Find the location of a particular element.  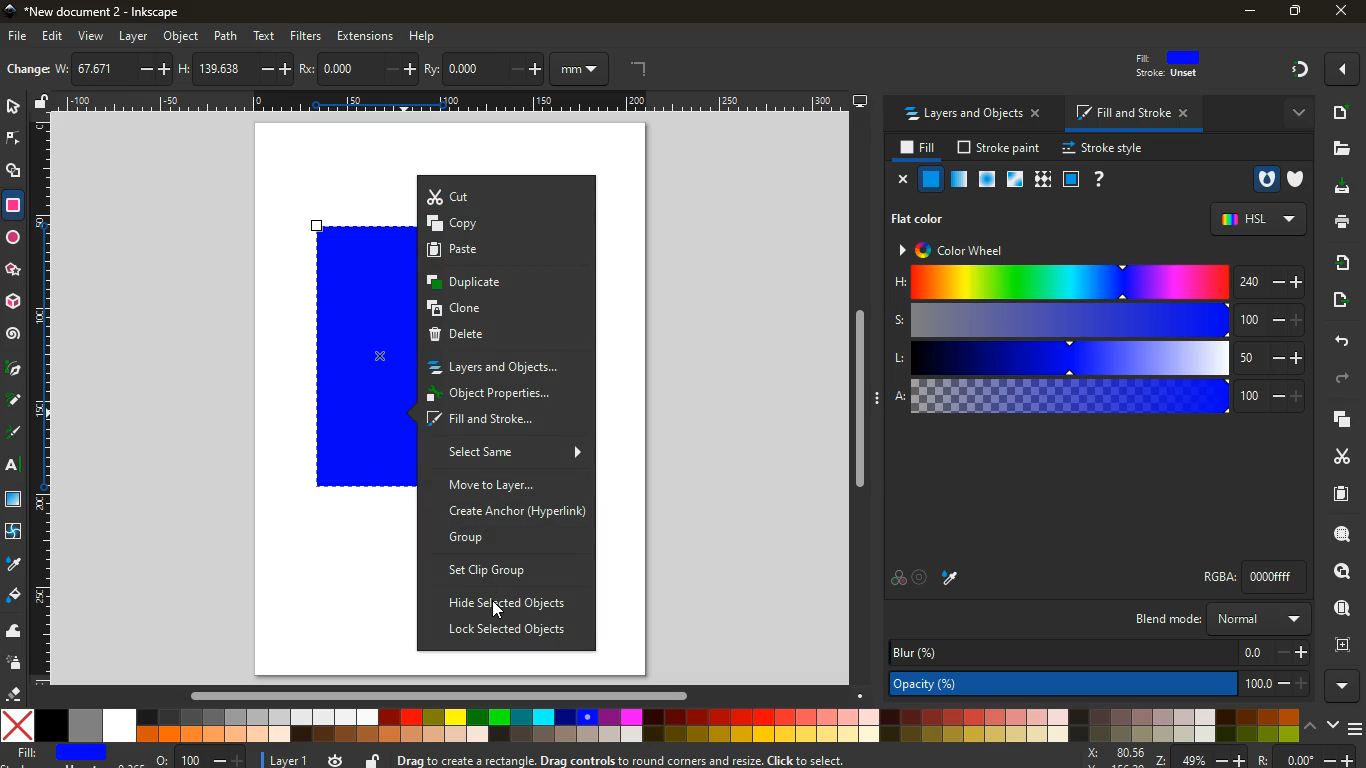

texture is located at coordinates (1042, 179).